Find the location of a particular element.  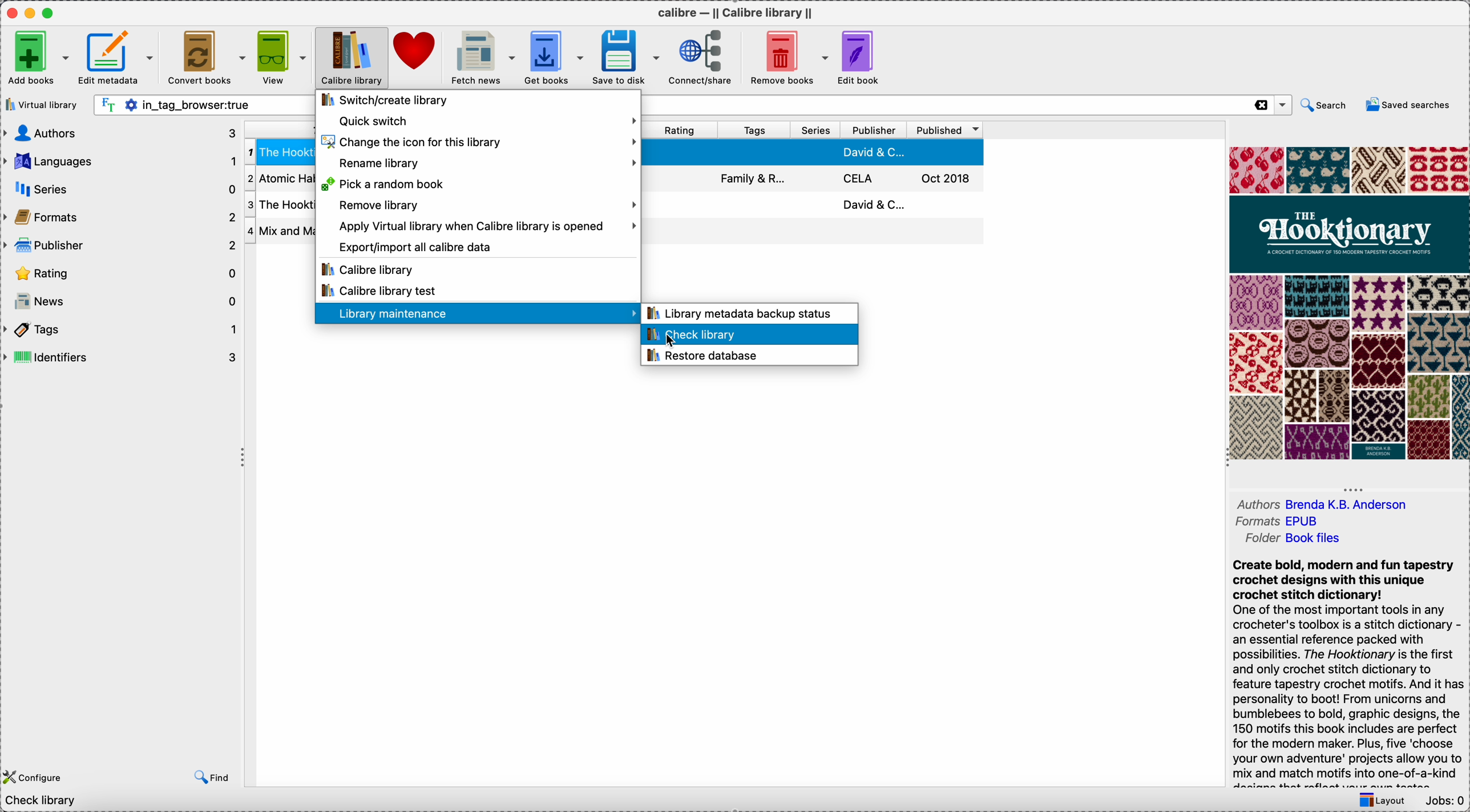

maximize app is located at coordinates (52, 10).